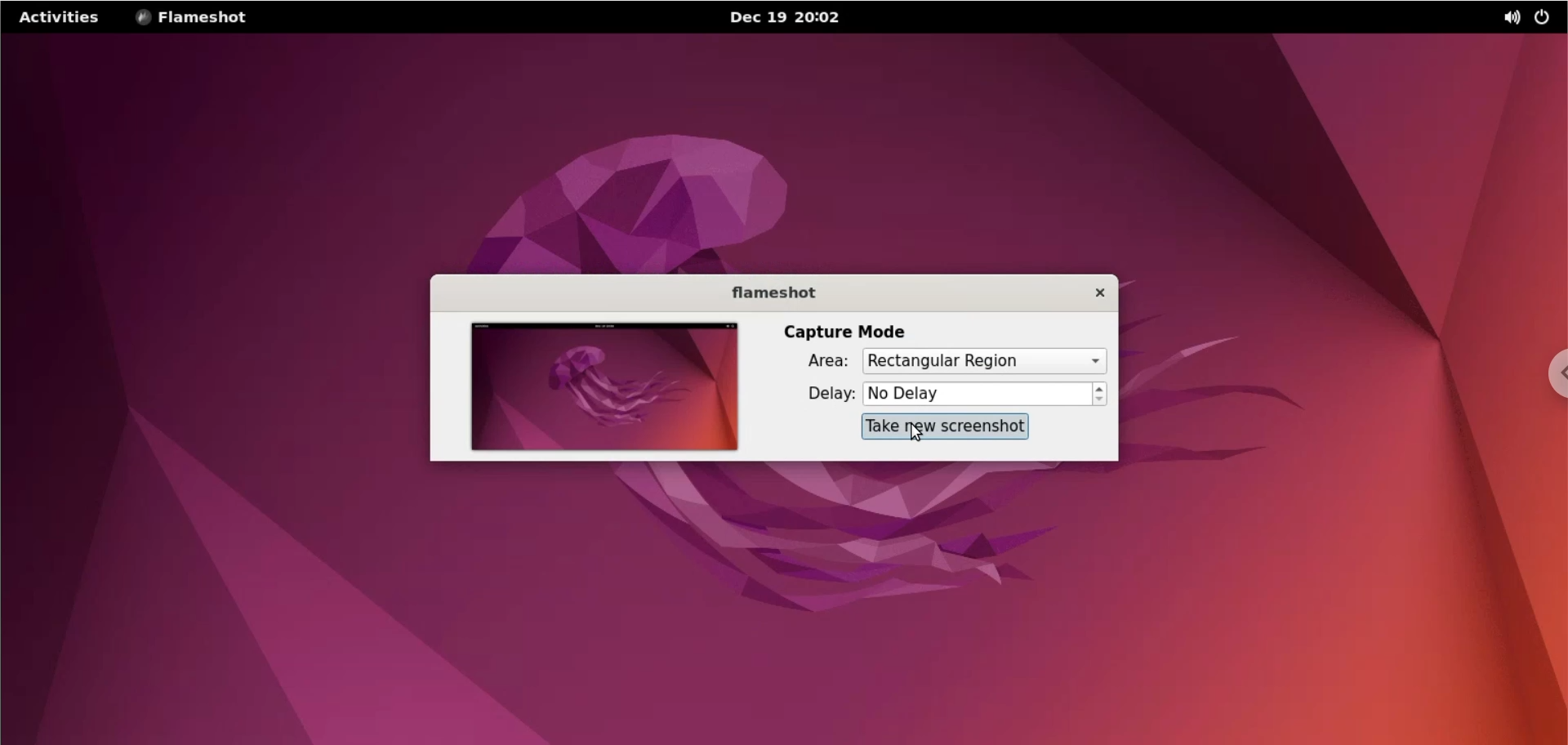 The width and height of the screenshot is (1568, 745). Describe the element at coordinates (820, 395) in the screenshot. I see `delay` at that location.